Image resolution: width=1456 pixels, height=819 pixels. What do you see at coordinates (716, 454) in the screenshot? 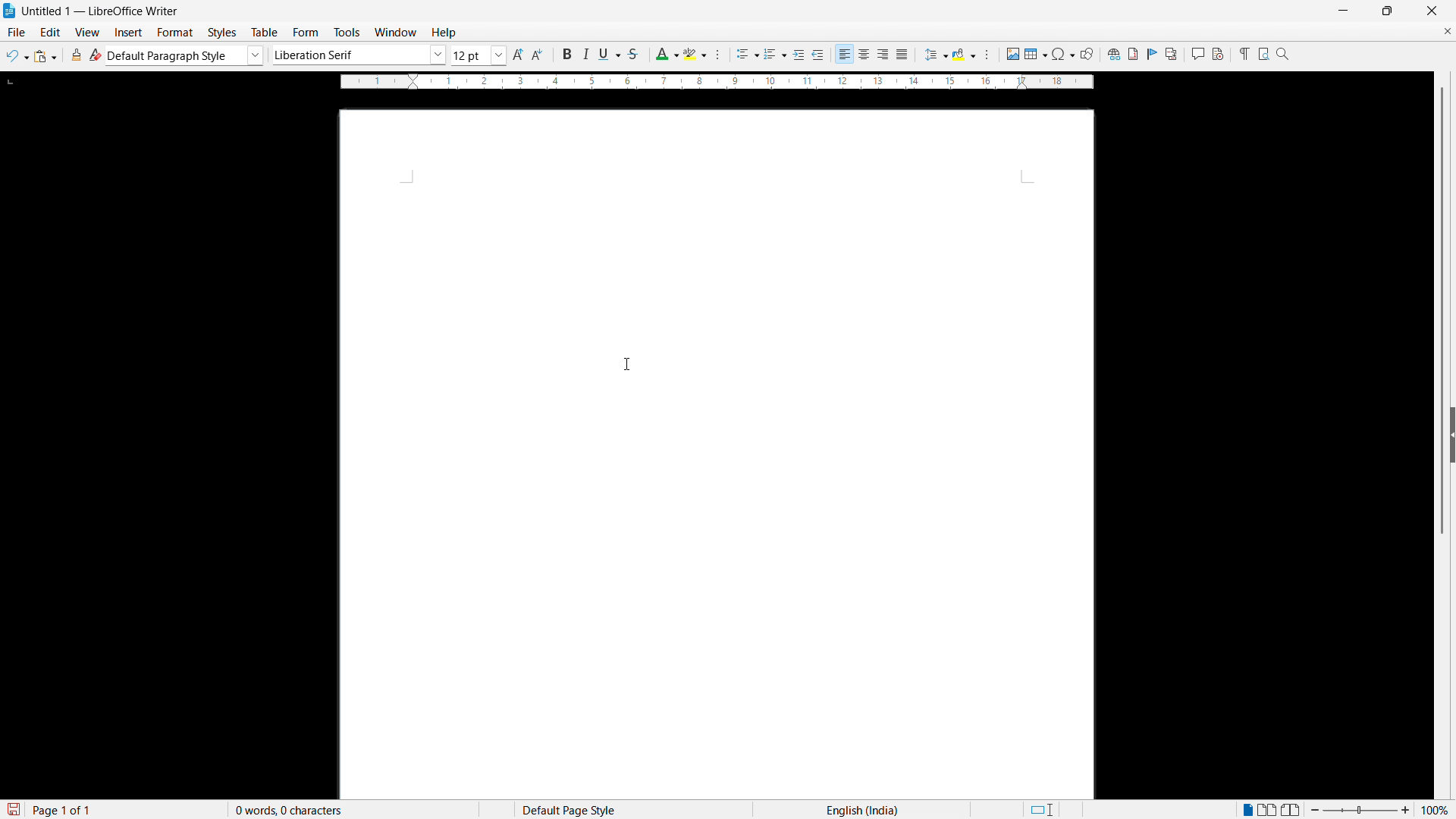
I see `Page ` at bounding box center [716, 454].